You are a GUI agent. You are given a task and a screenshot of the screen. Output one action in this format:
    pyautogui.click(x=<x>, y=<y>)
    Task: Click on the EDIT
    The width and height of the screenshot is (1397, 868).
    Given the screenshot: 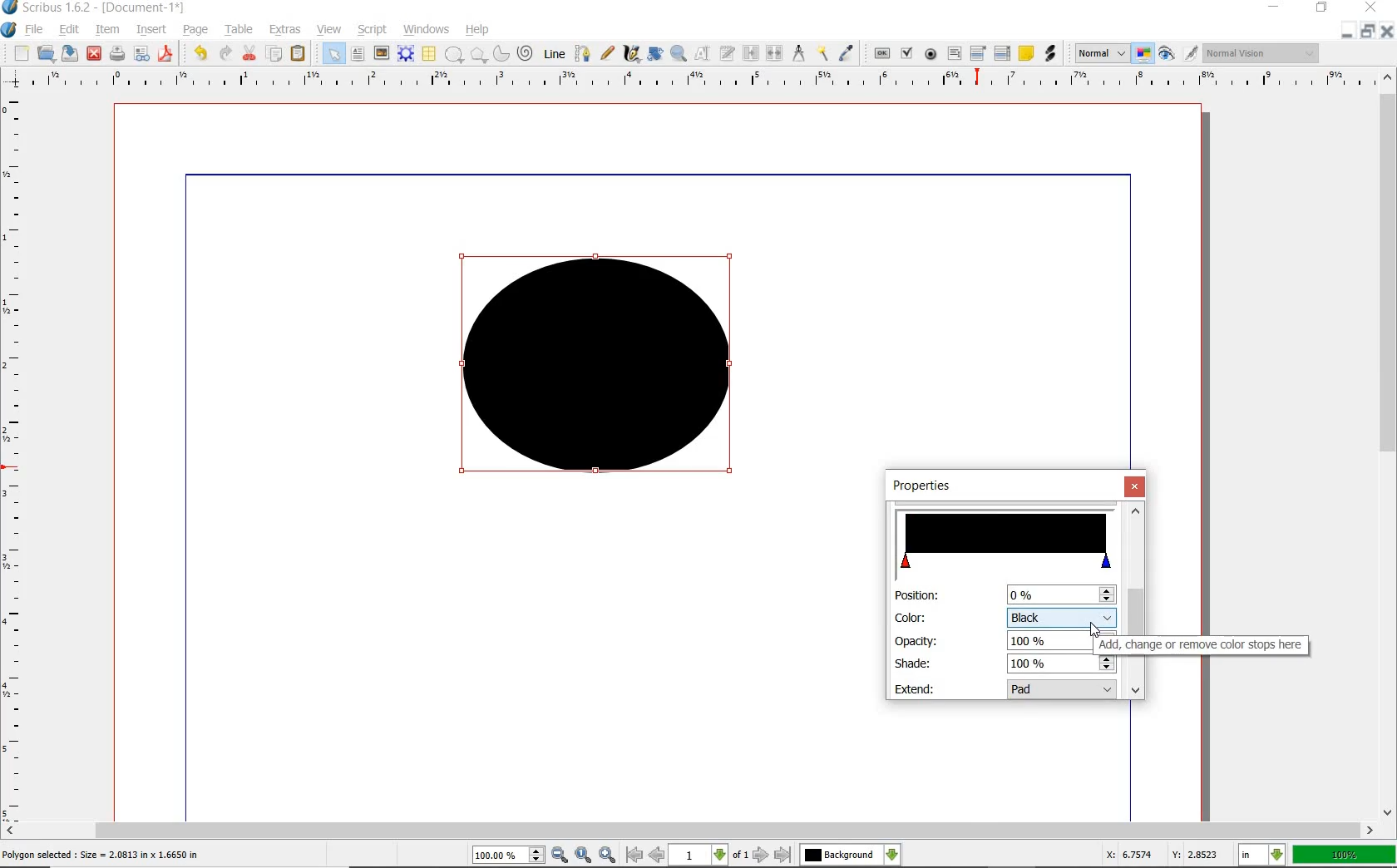 What is the action you would take?
    pyautogui.click(x=68, y=31)
    